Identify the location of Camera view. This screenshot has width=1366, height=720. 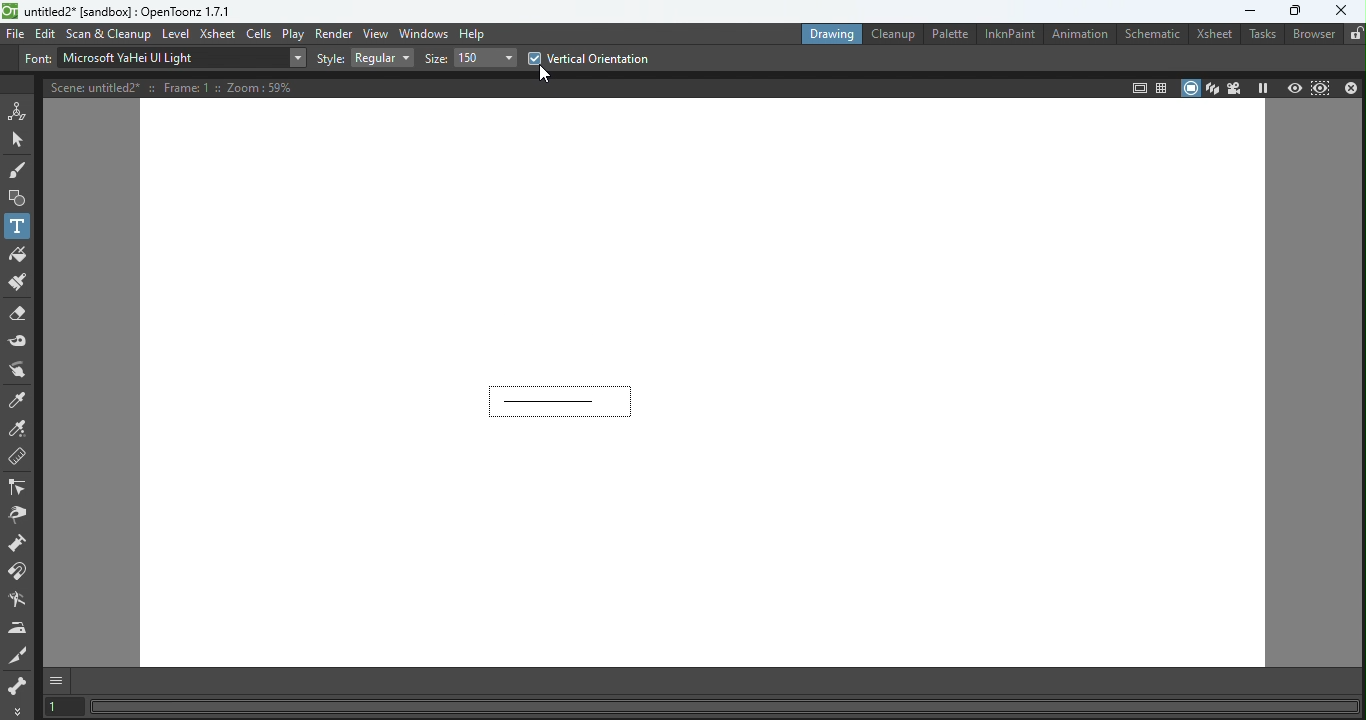
(1233, 83).